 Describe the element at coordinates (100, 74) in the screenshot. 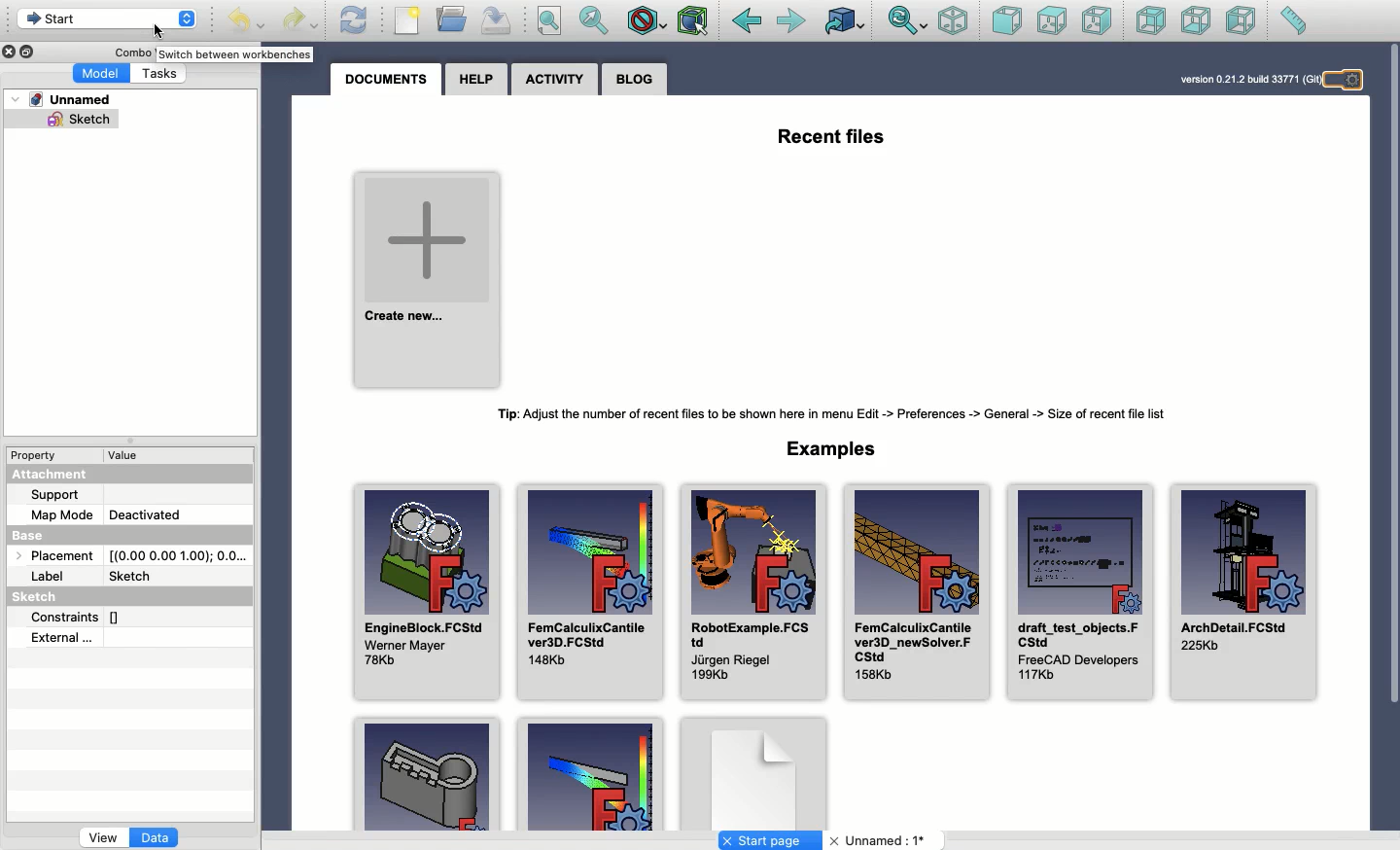

I see `Model` at that location.